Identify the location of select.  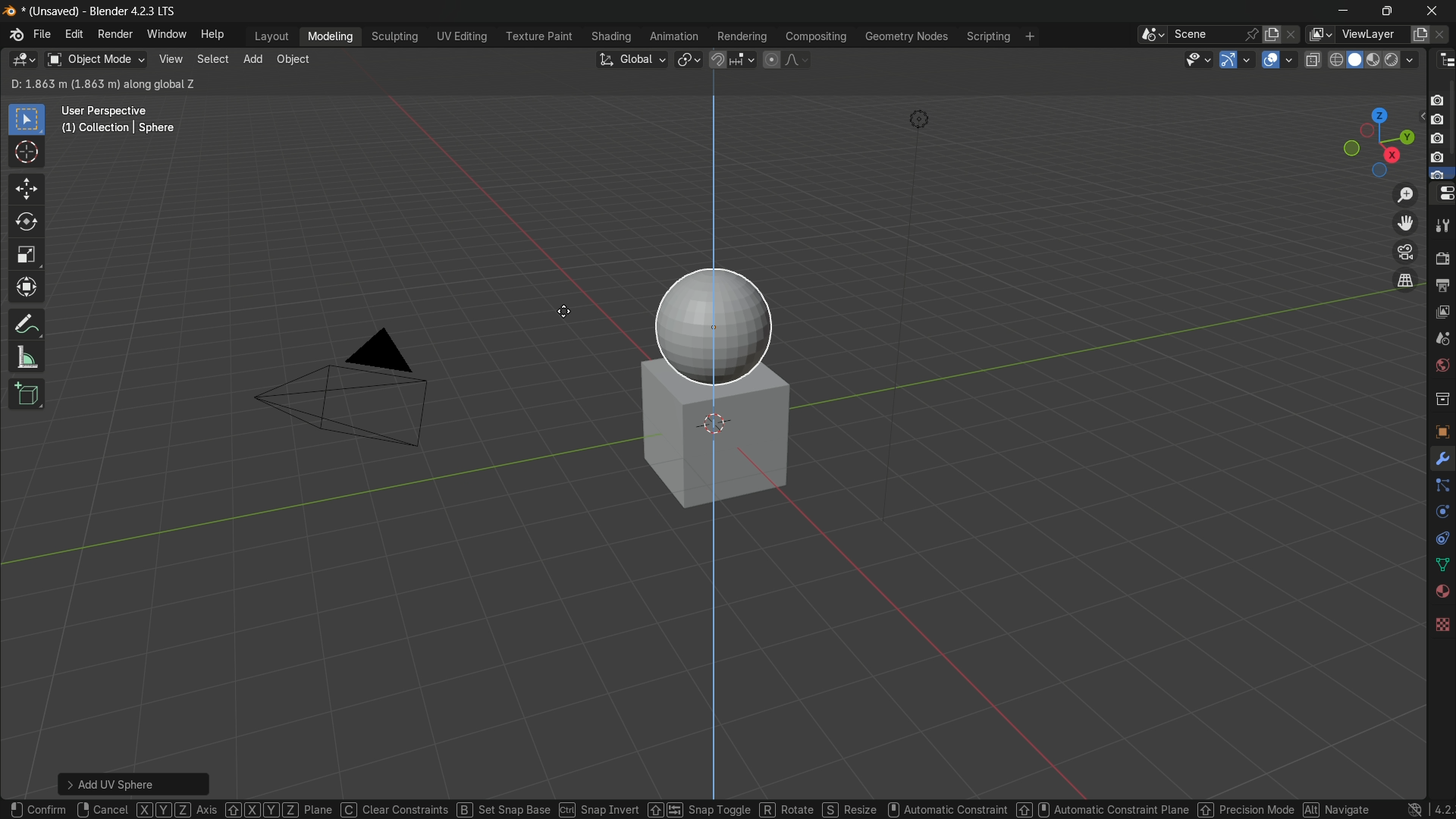
(212, 58).